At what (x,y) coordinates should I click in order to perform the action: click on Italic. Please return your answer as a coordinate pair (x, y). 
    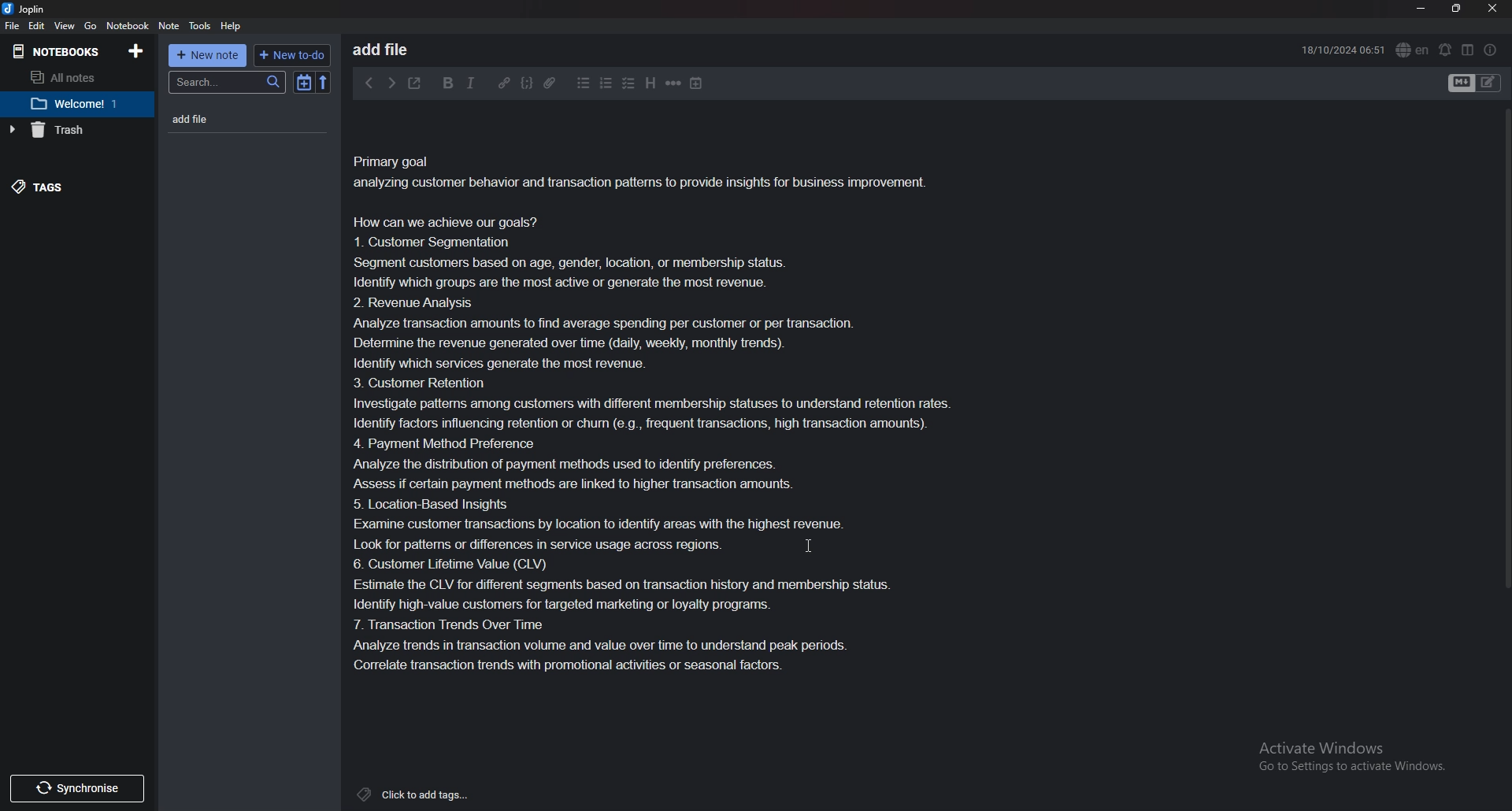
    Looking at the image, I should click on (472, 82).